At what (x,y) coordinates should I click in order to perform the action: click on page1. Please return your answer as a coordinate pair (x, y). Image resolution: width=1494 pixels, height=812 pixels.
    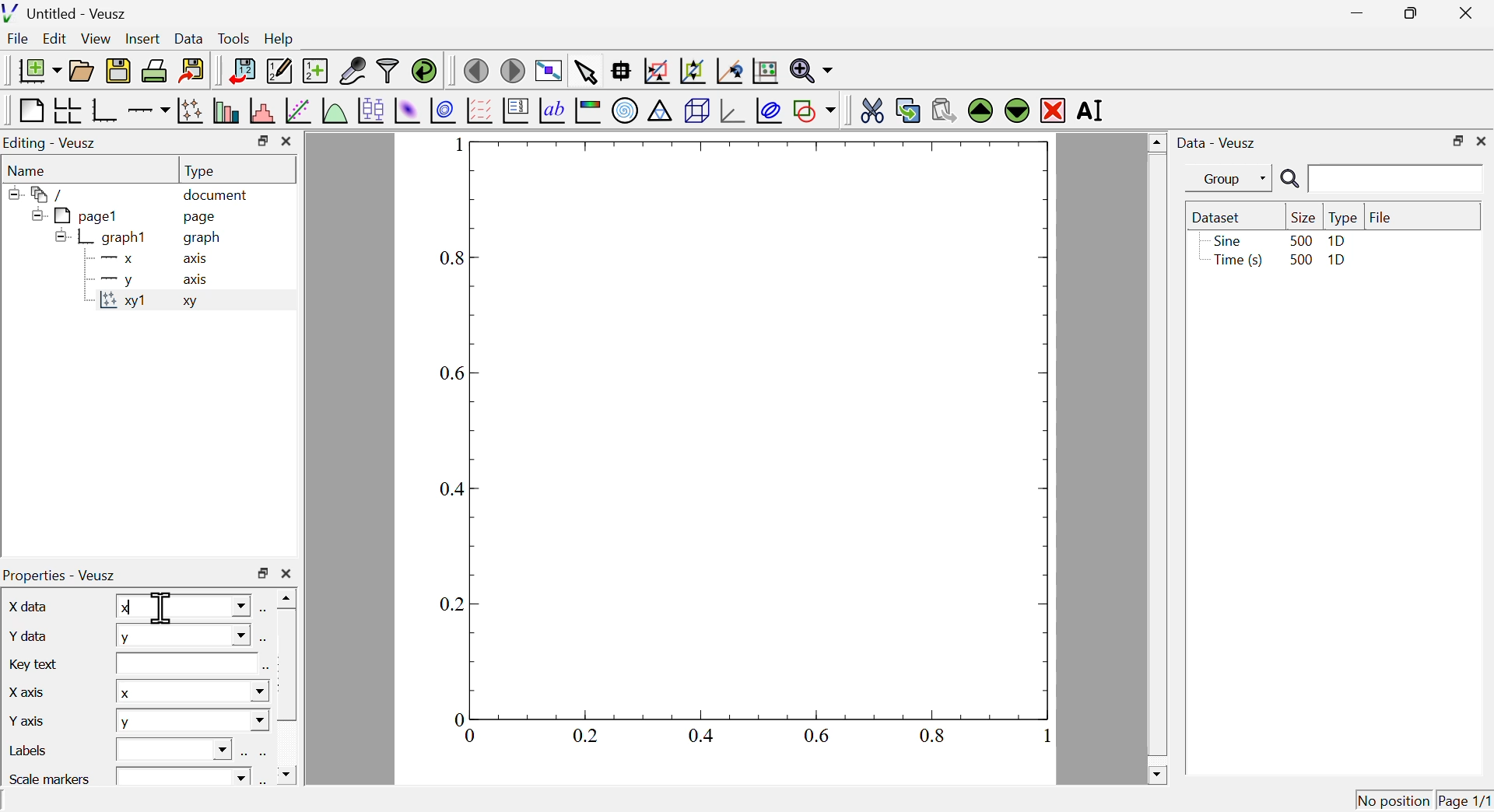
    Looking at the image, I should click on (77, 215).